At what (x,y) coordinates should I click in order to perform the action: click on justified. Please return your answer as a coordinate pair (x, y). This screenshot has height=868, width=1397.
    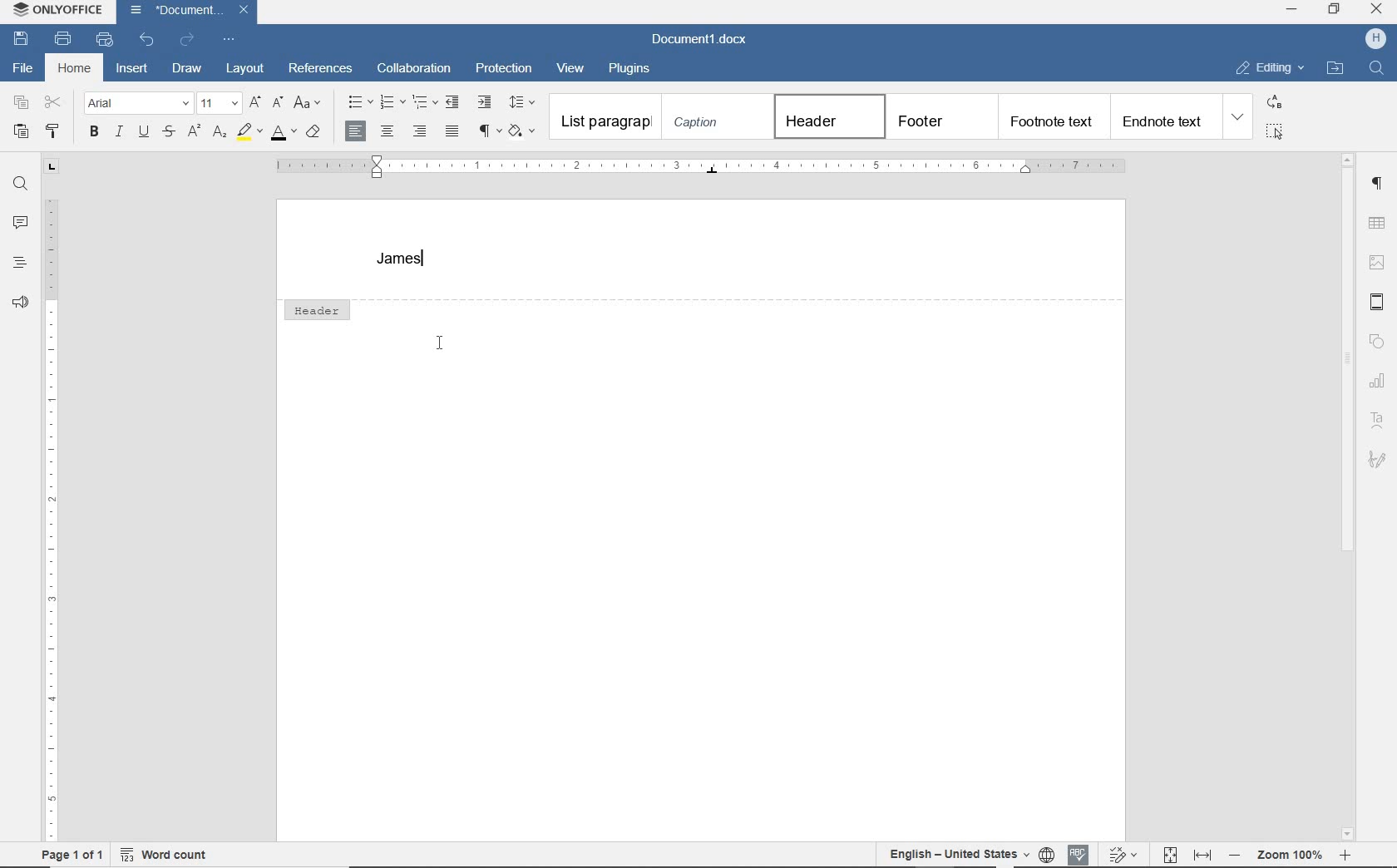
    Looking at the image, I should click on (453, 132).